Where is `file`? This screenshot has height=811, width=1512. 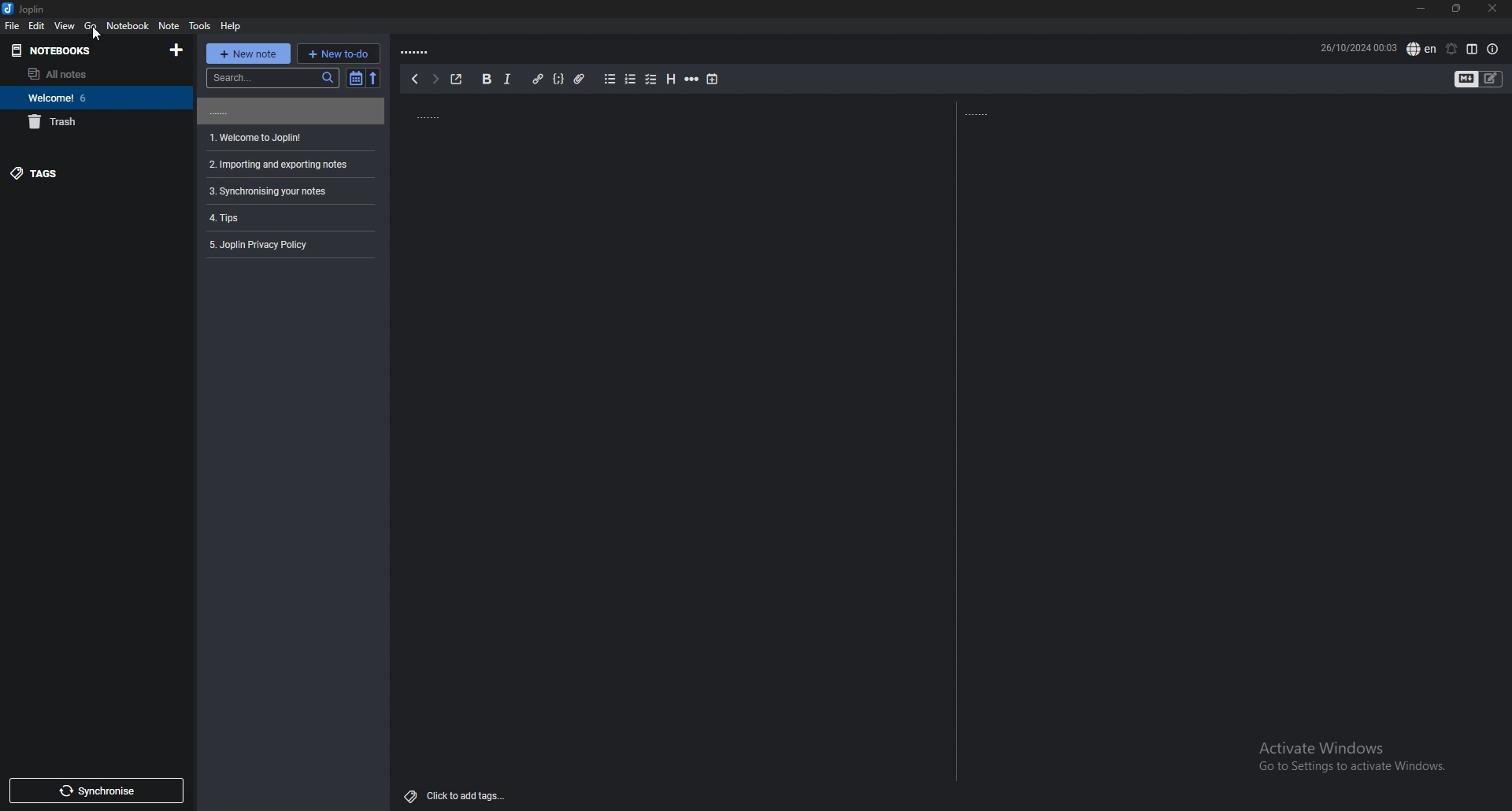 file is located at coordinates (13, 26).